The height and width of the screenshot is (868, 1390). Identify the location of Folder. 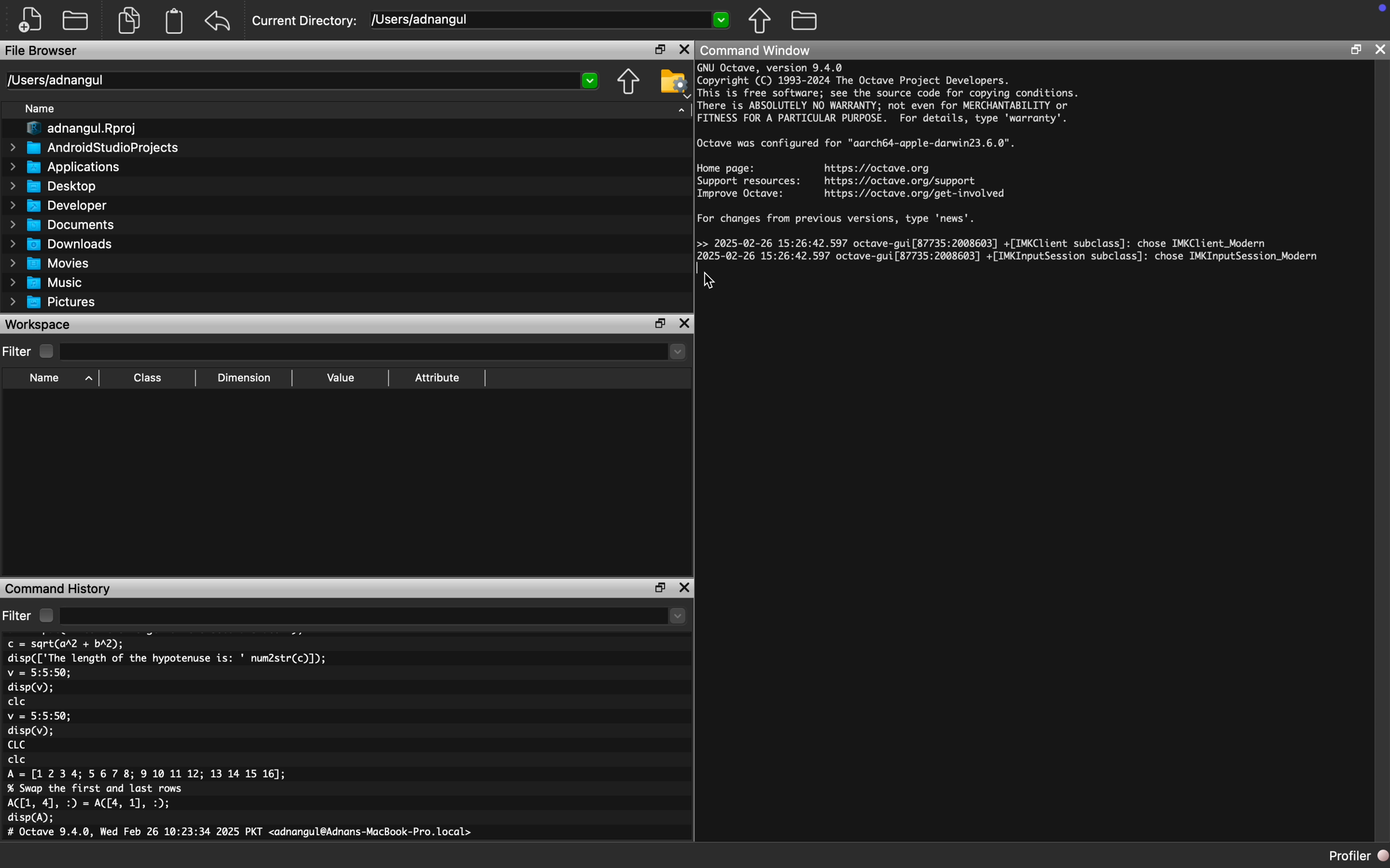
(805, 21).